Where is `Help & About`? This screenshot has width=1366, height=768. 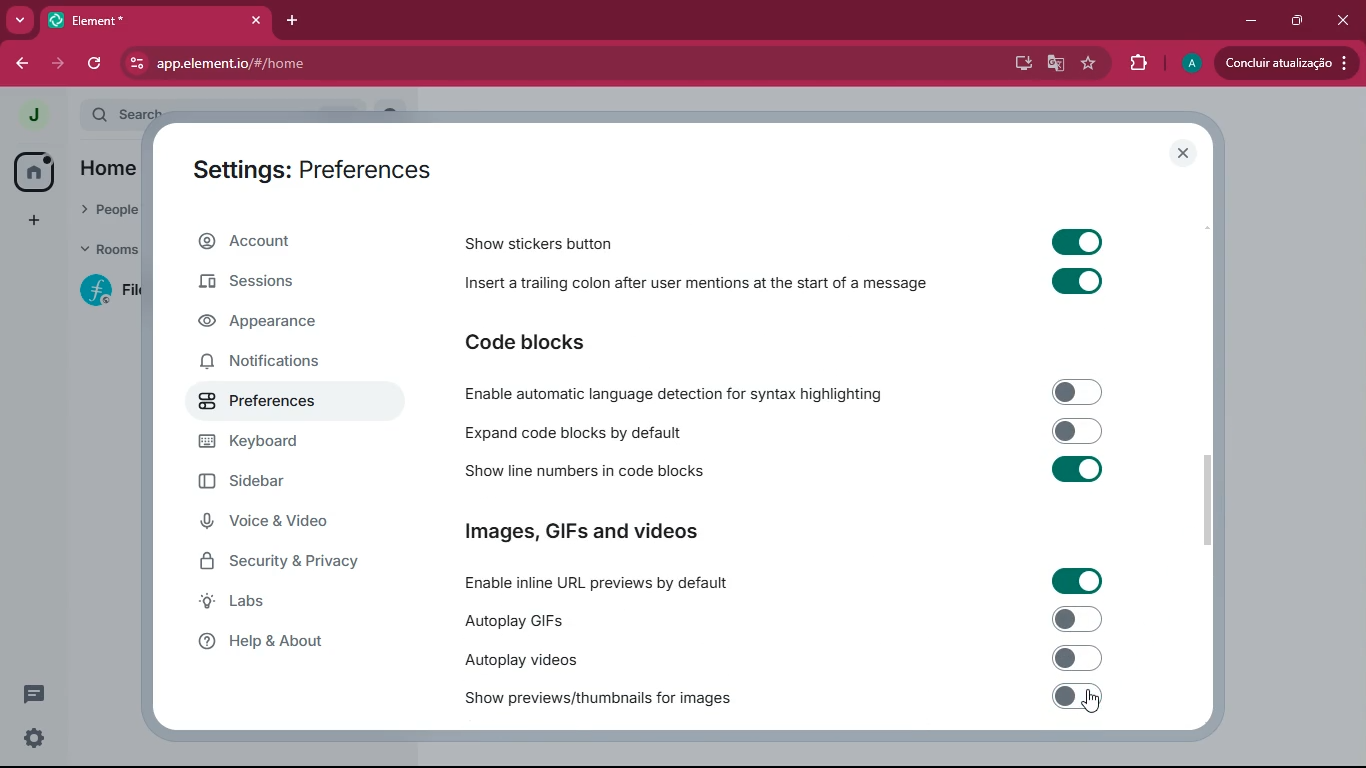 Help & About is located at coordinates (288, 640).